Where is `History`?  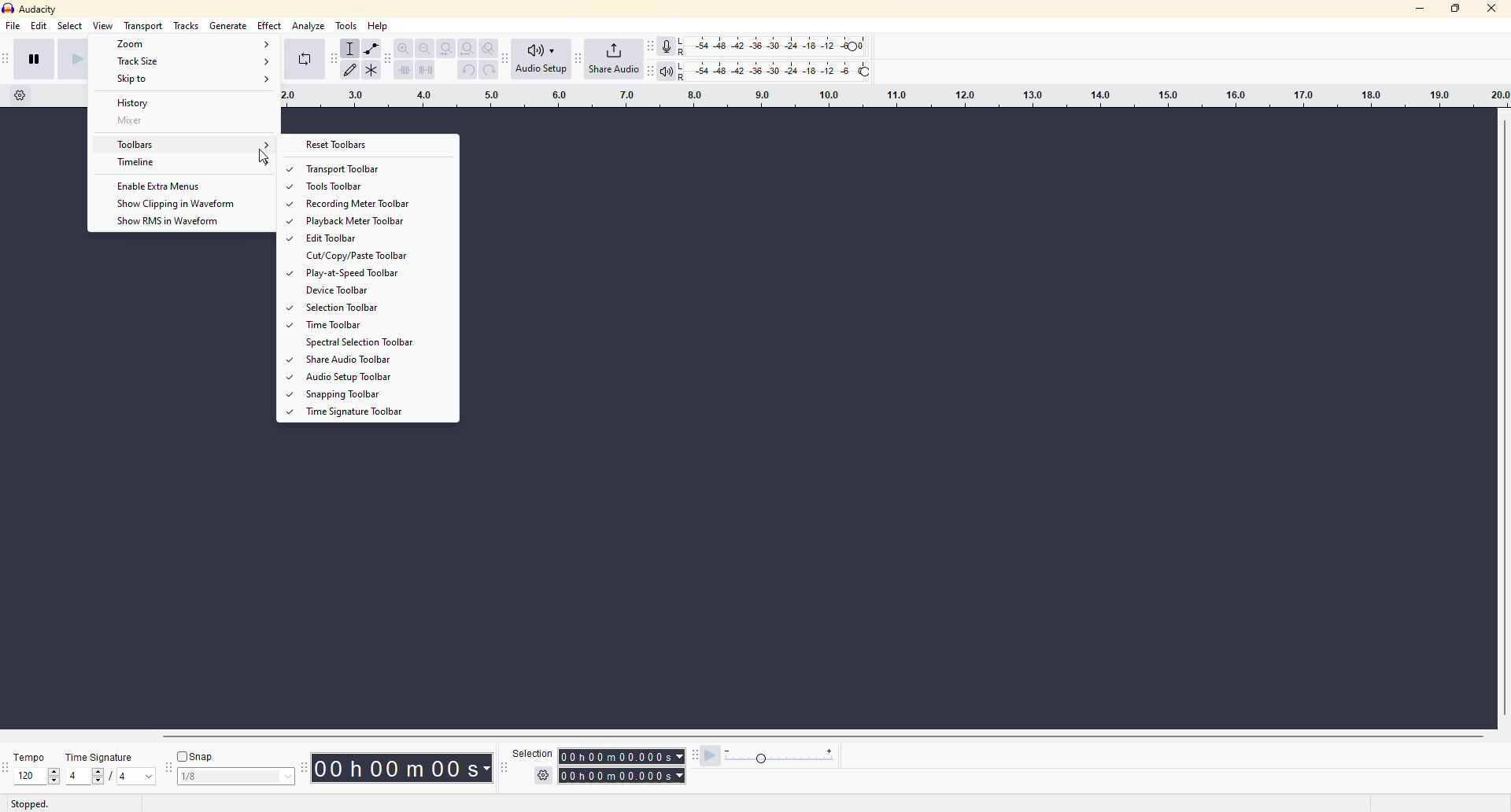
History is located at coordinates (172, 103).